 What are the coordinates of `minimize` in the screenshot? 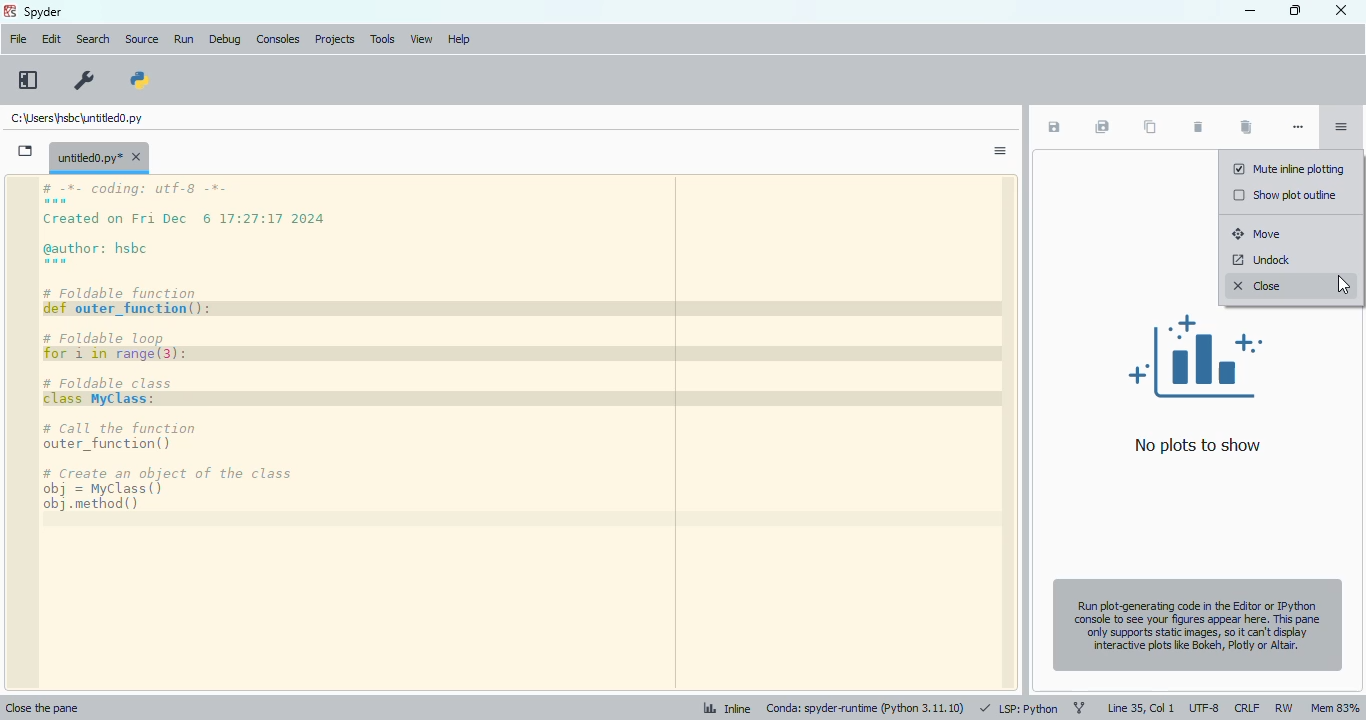 It's located at (1249, 11).